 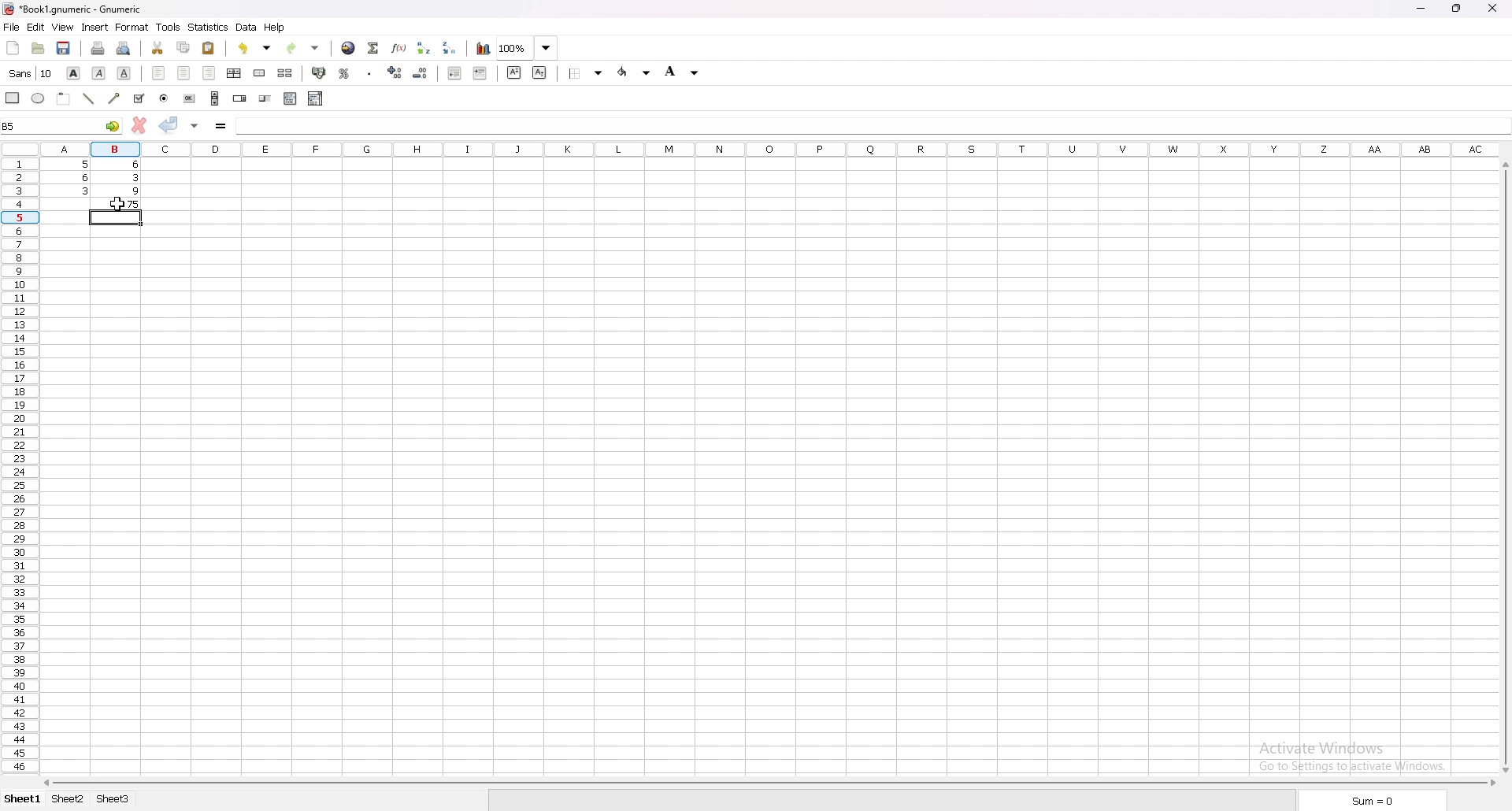 What do you see at coordinates (112, 798) in the screenshot?
I see `sheet` at bounding box center [112, 798].